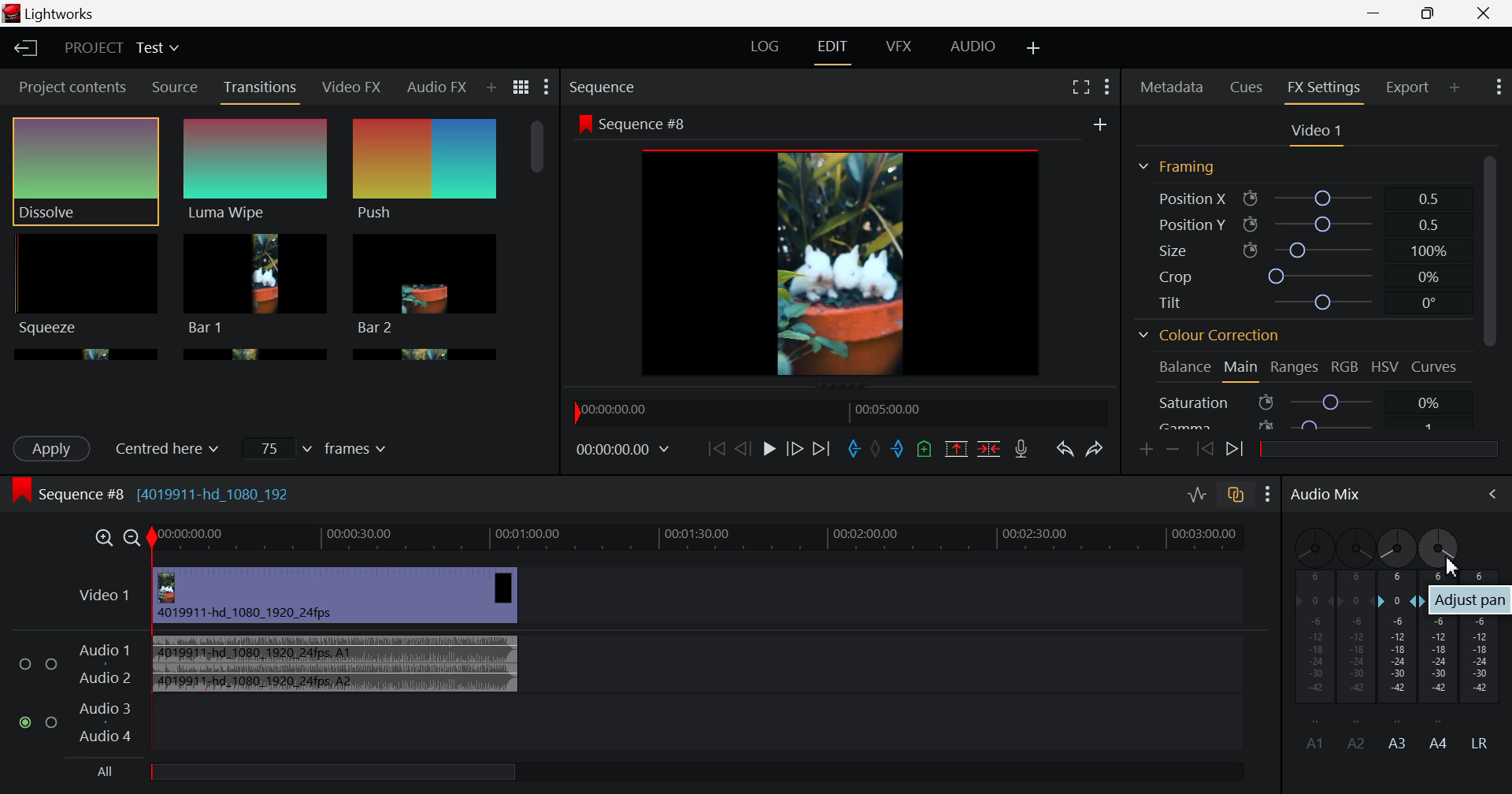 This screenshot has height=794, width=1512. I want to click on Frames Input, so click(318, 447).